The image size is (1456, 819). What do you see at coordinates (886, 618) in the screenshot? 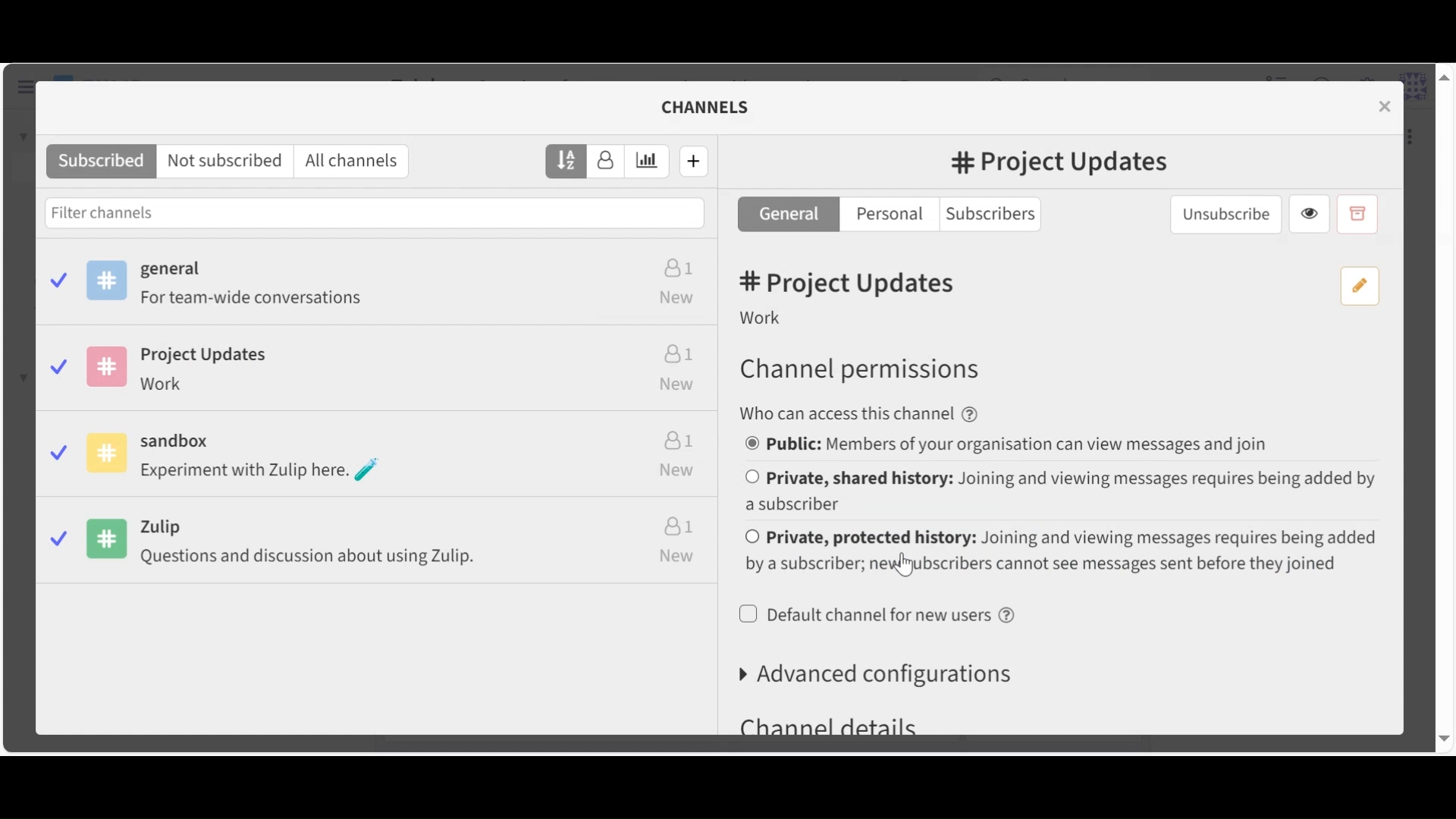
I see `(un)select Default channel for users` at bounding box center [886, 618].